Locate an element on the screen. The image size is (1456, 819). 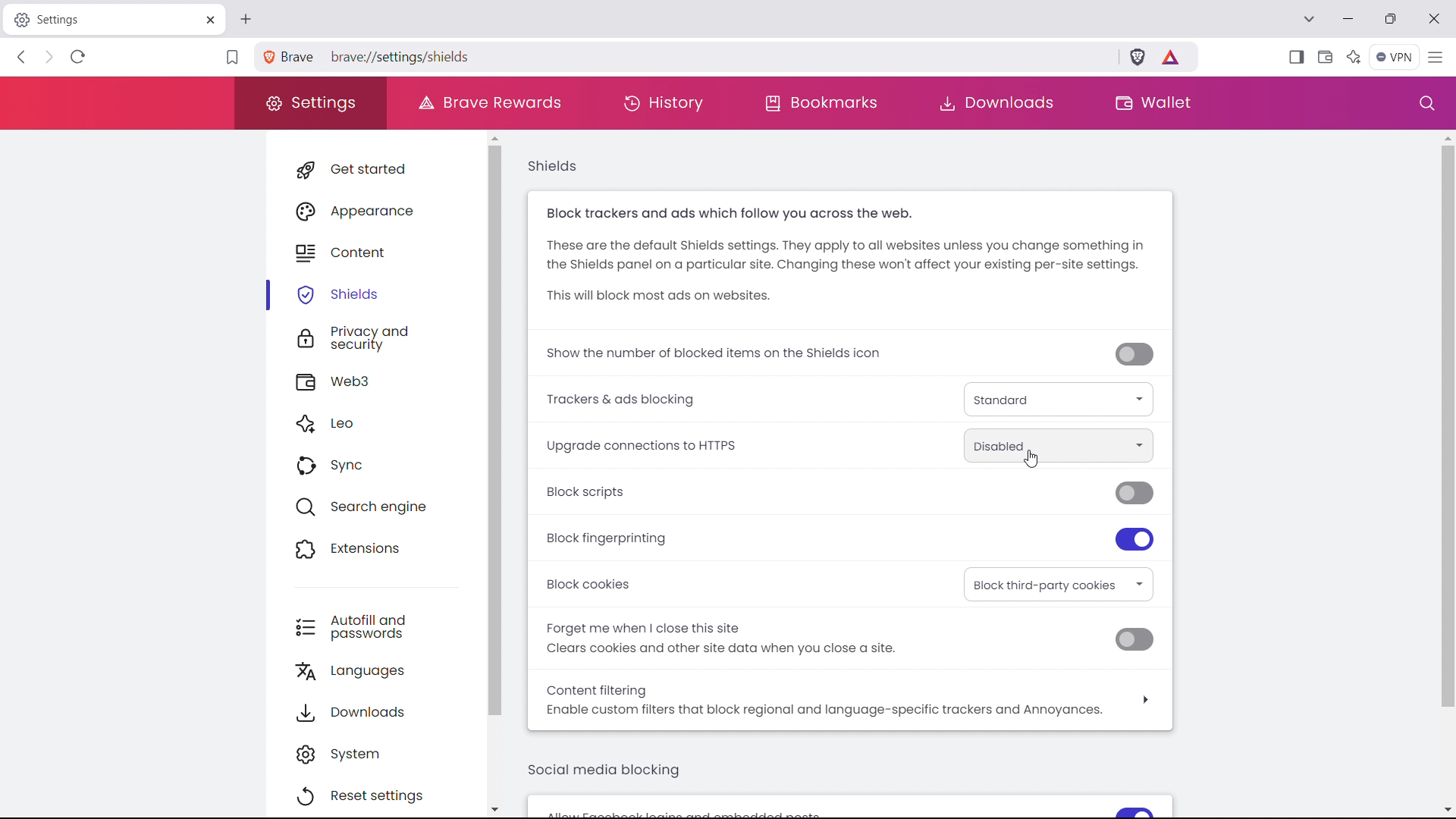
close tab is located at coordinates (209, 20).